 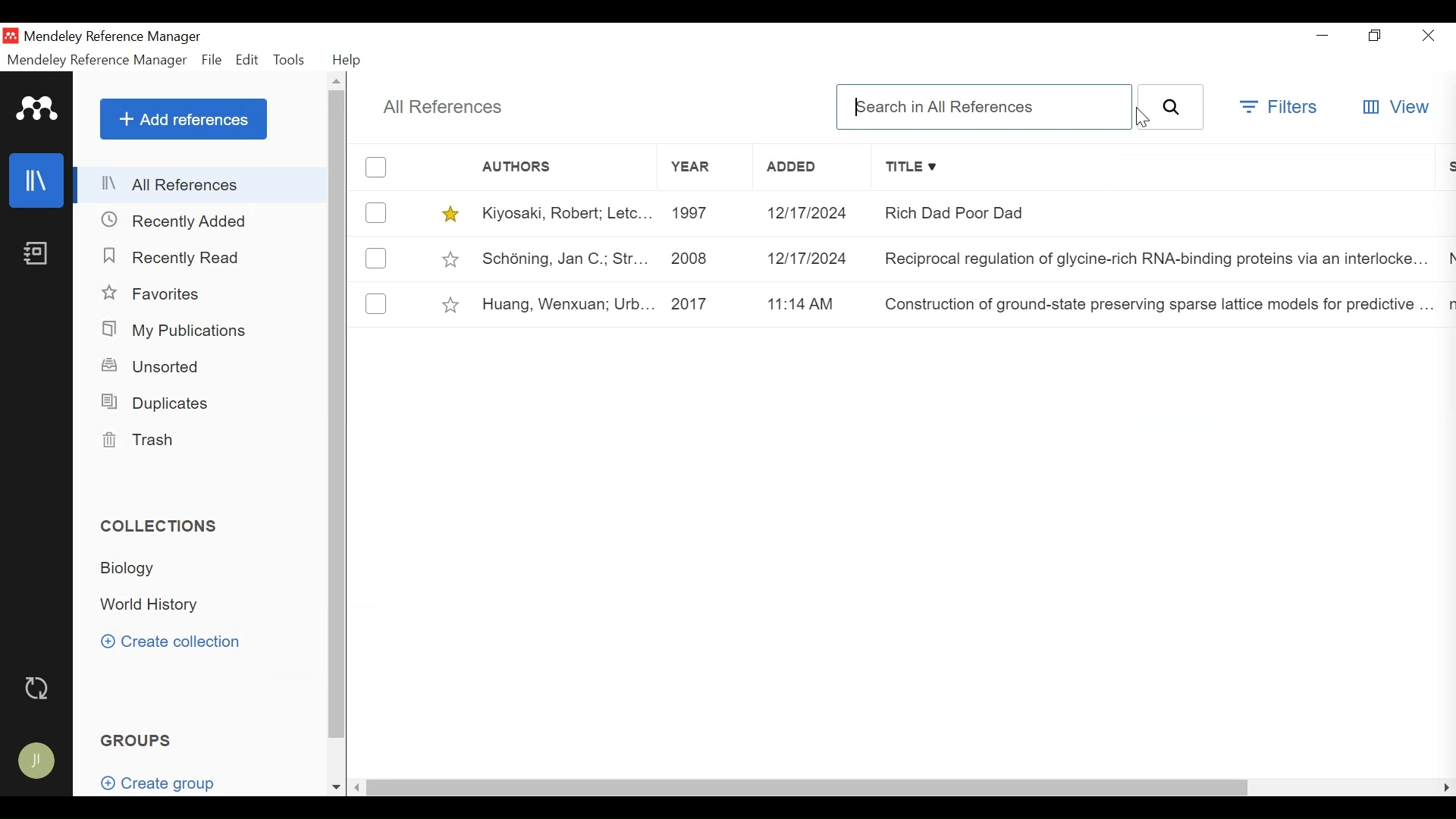 I want to click on Tools, so click(x=290, y=59).